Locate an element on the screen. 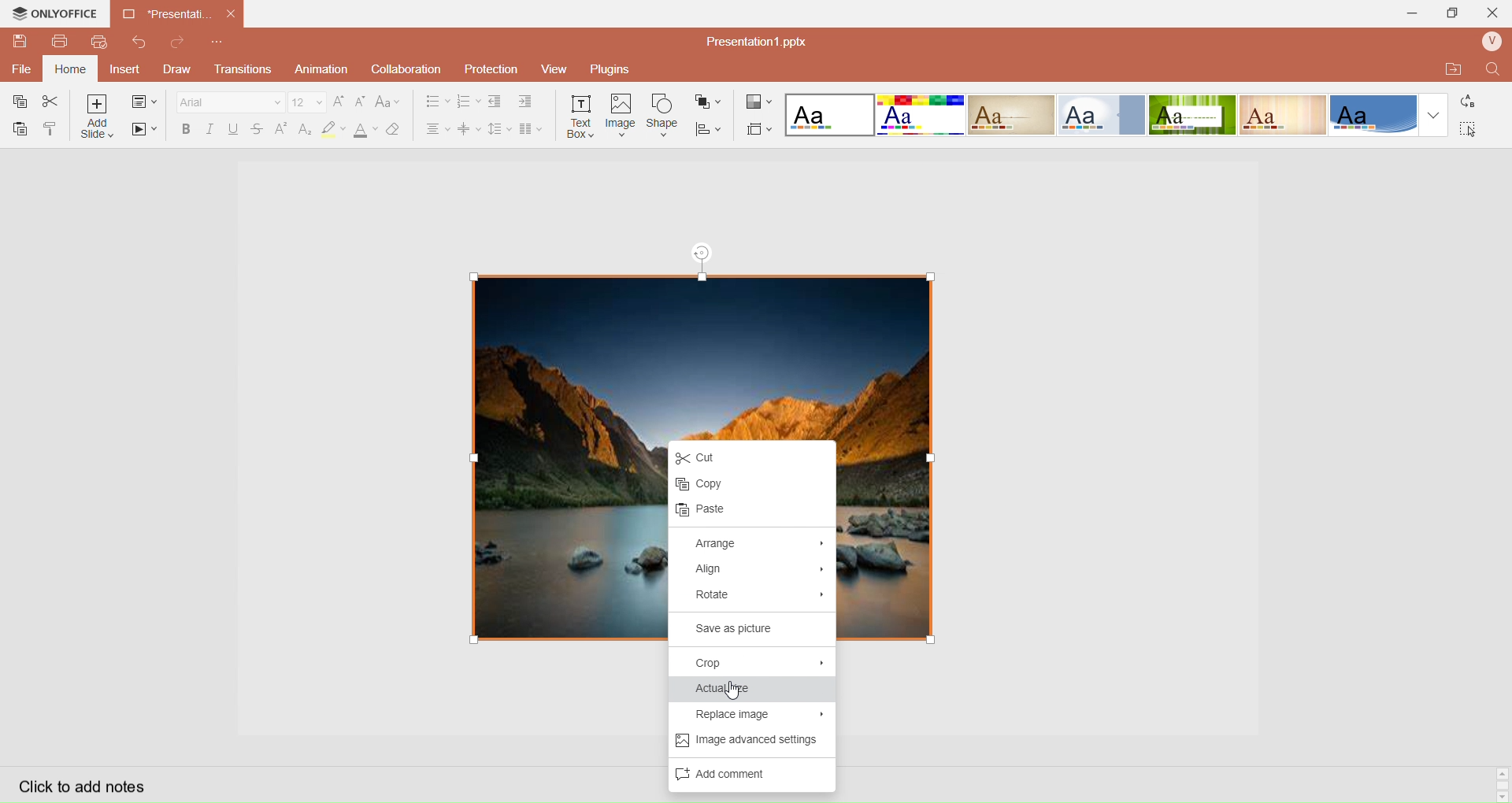 The width and height of the screenshot is (1512, 803). Horizontal Align is located at coordinates (439, 128).